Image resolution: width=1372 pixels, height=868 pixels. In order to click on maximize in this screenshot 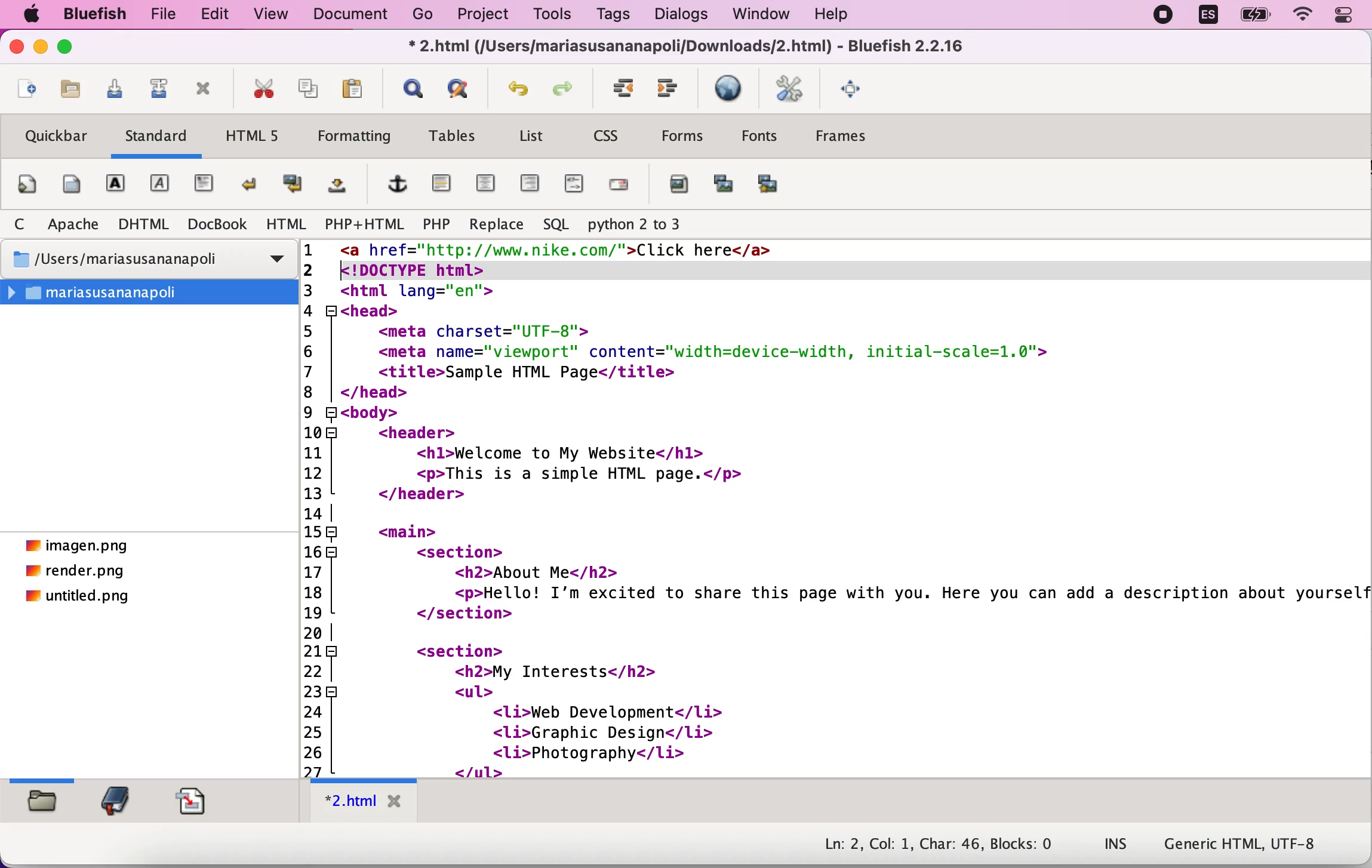, I will do `click(72, 48)`.